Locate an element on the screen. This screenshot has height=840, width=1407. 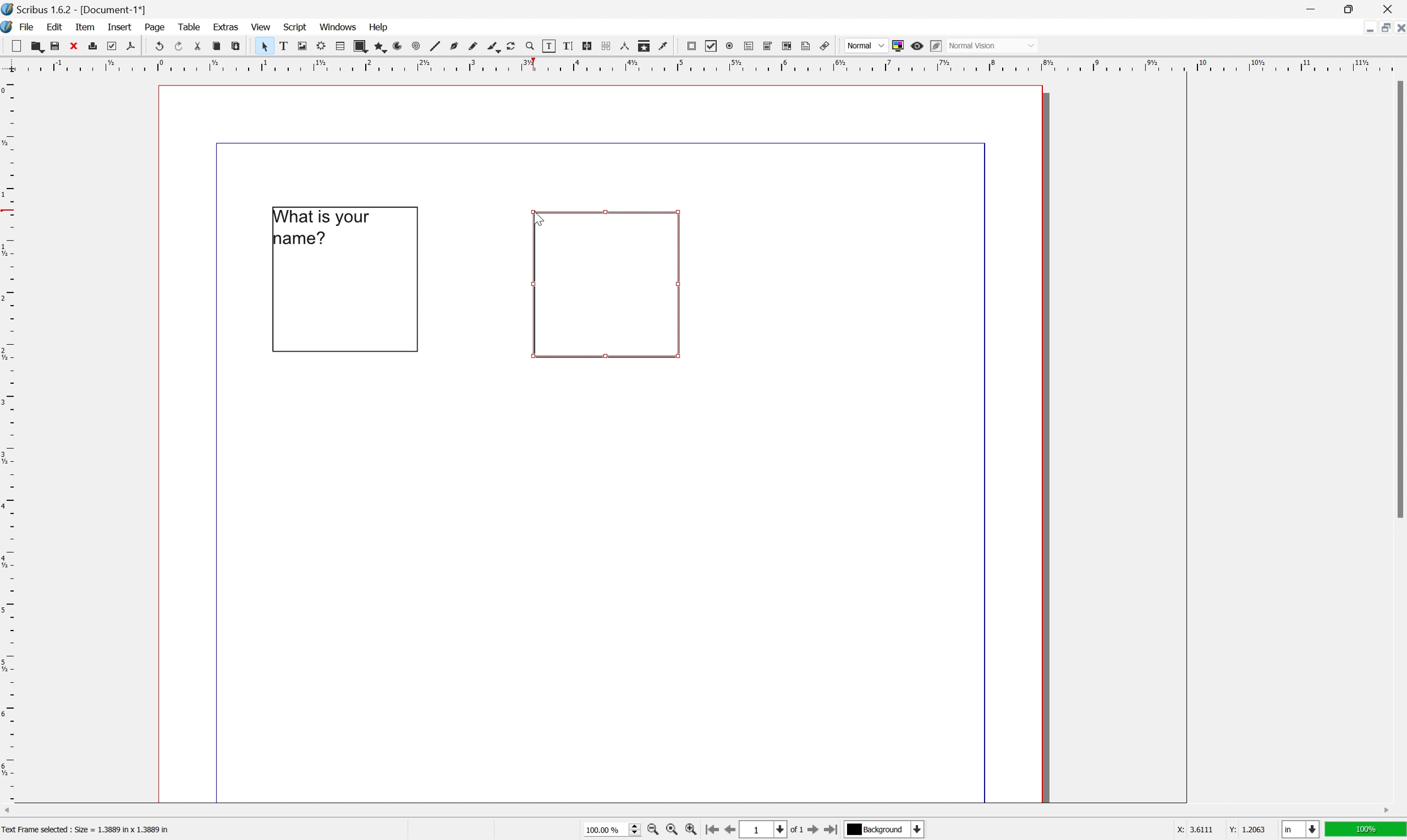
pdf radio button is located at coordinates (729, 46).